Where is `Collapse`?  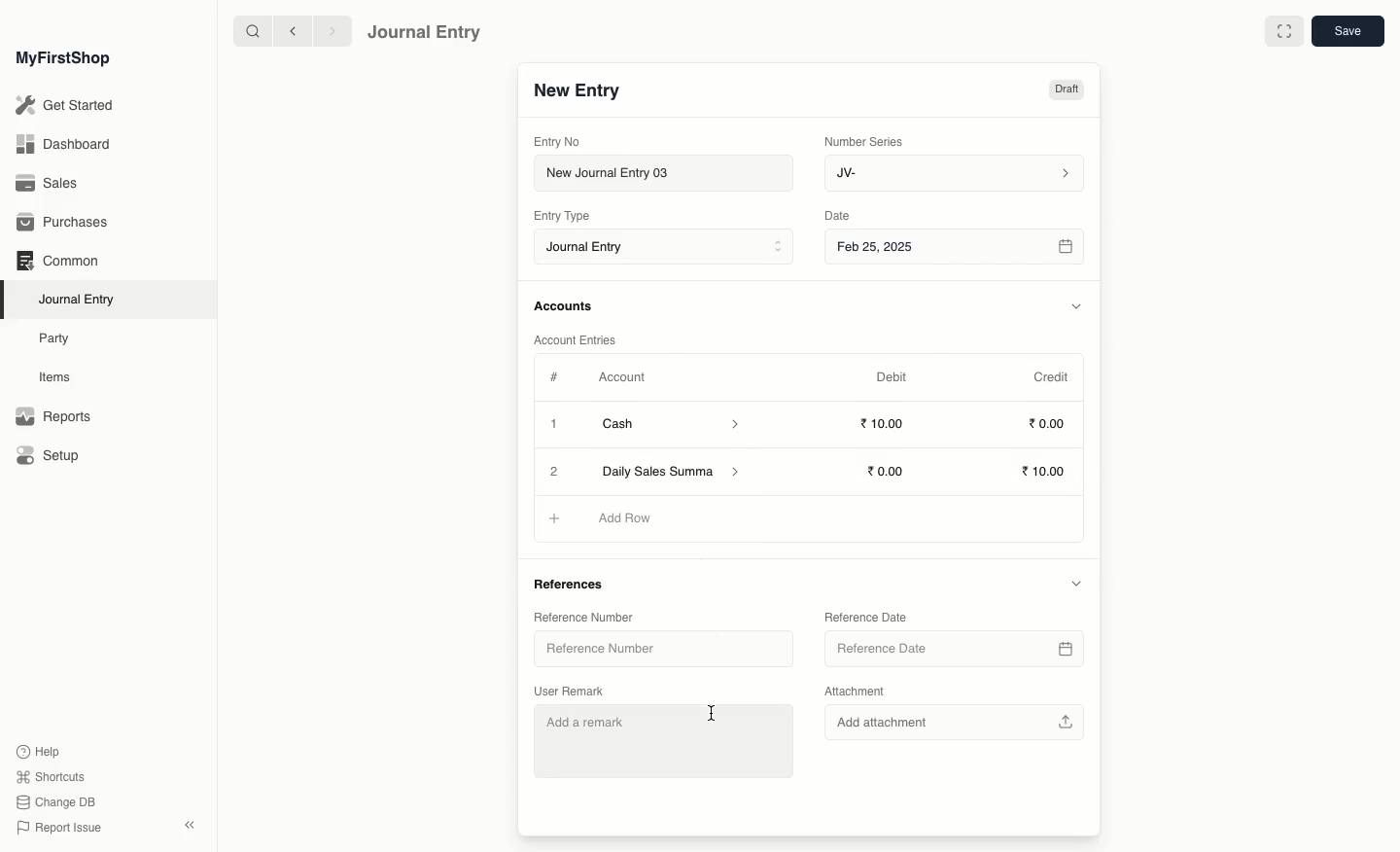 Collapse is located at coordinates (190, 825).